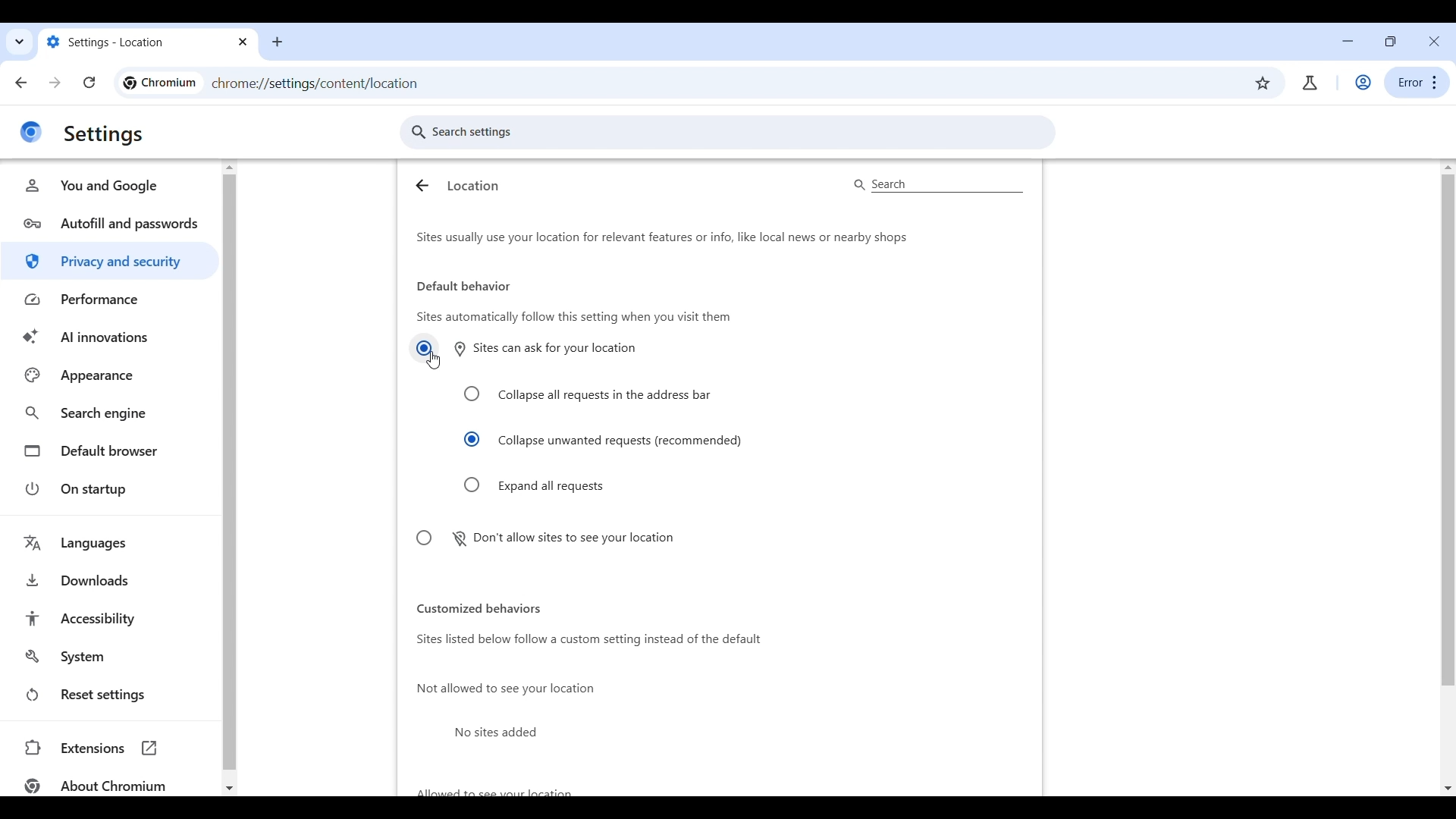 The height and width of the screenshot is (819, 1456). What do you see at coordinates (110, 185) in the screenshot?
I see `You and Google` at bounding box center [110, 185].